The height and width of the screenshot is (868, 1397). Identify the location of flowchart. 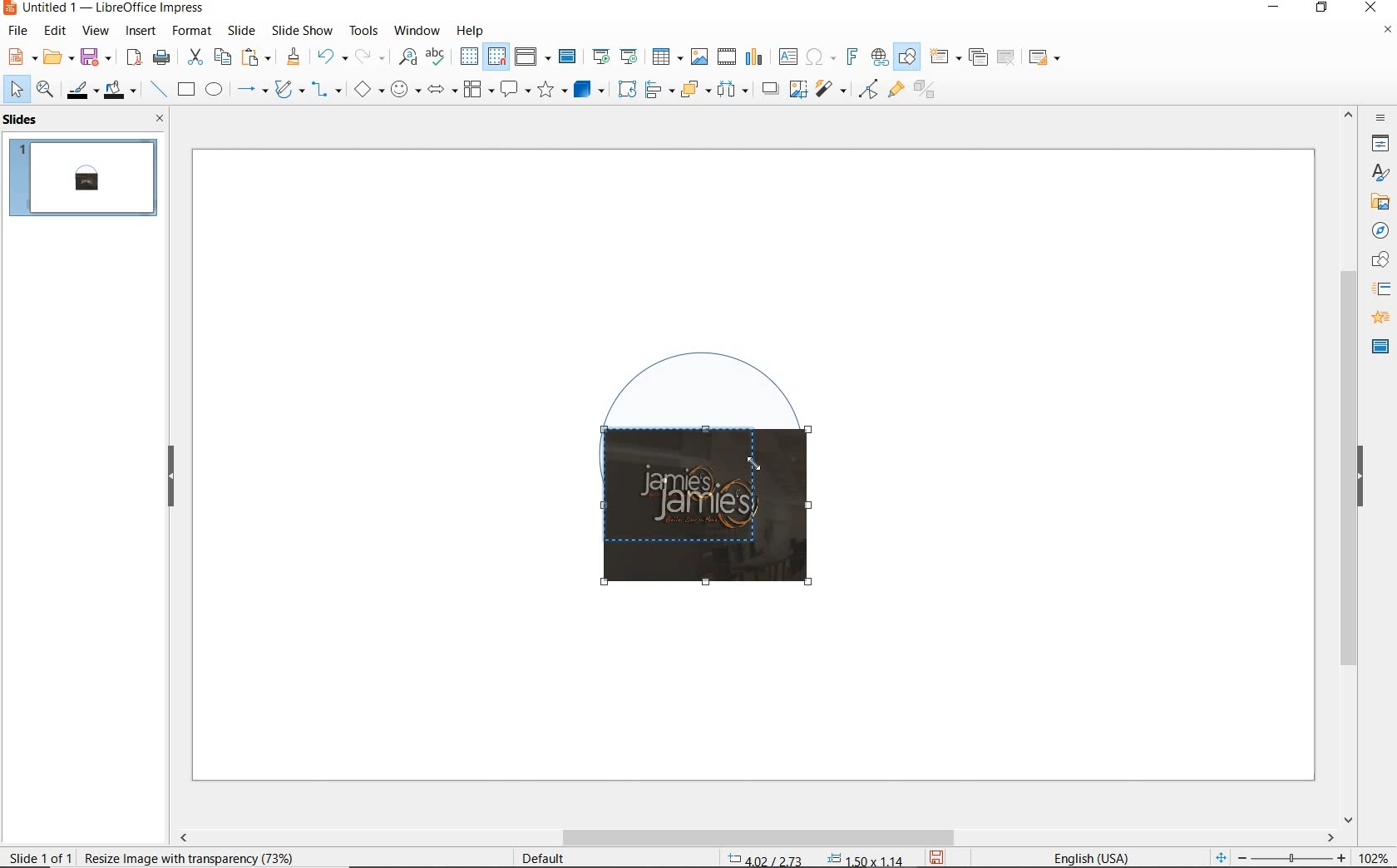
(477, 91).